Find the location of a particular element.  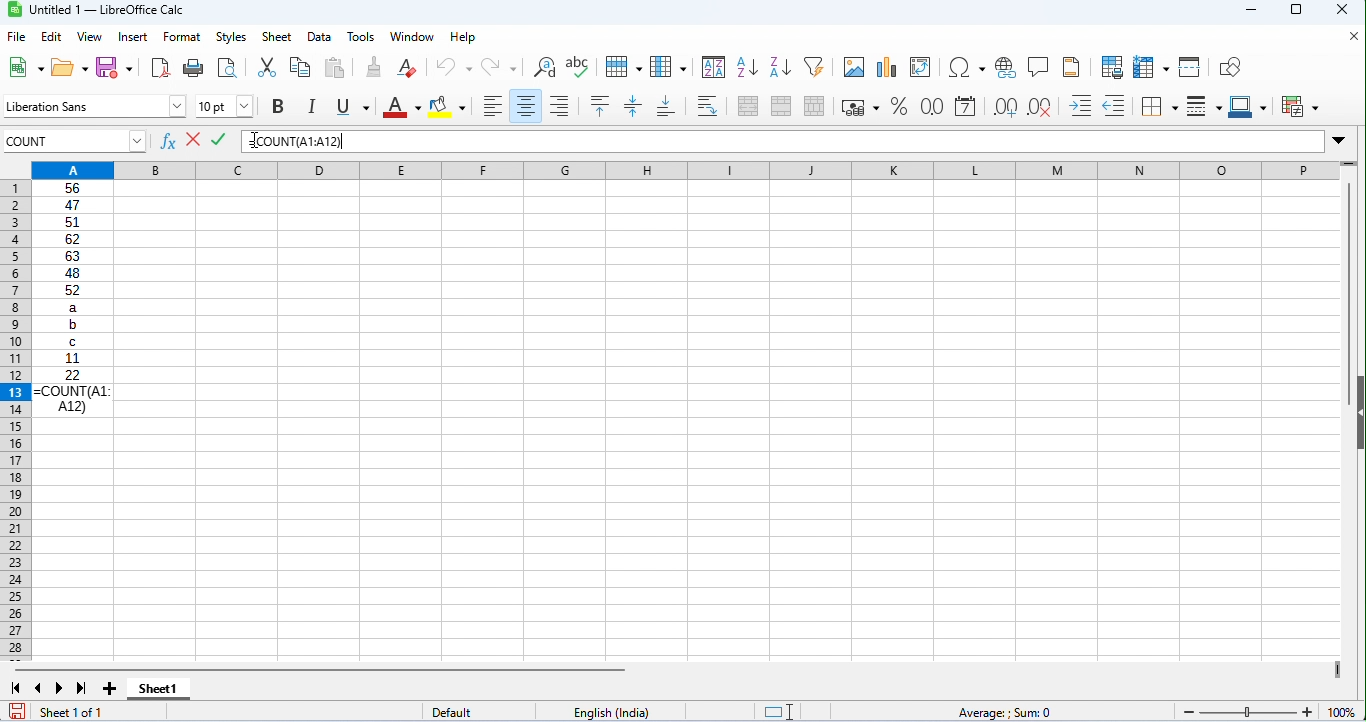

accept is located at coordinates (218, 139).